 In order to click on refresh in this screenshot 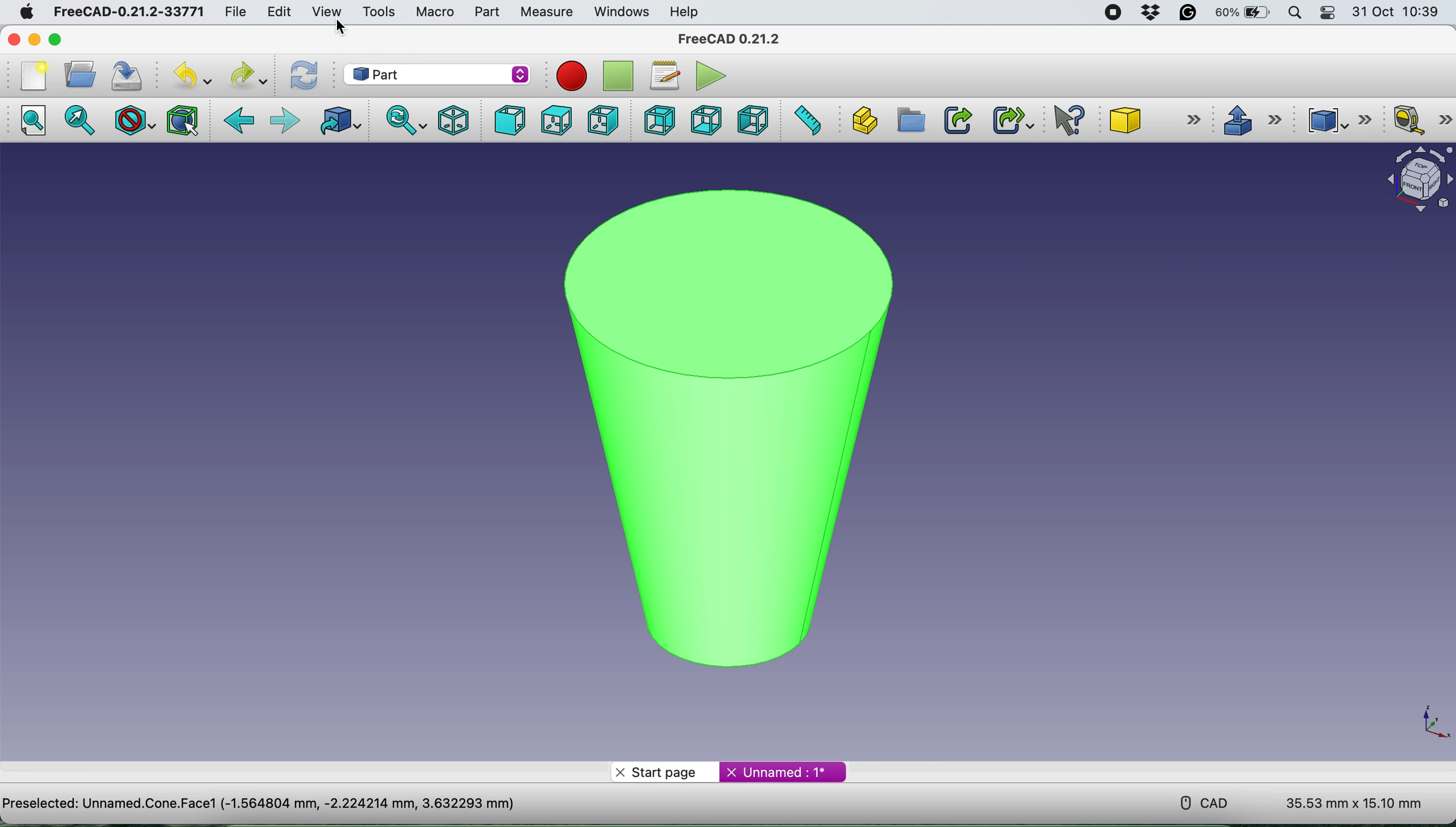, I will do `click(302, 75)`.